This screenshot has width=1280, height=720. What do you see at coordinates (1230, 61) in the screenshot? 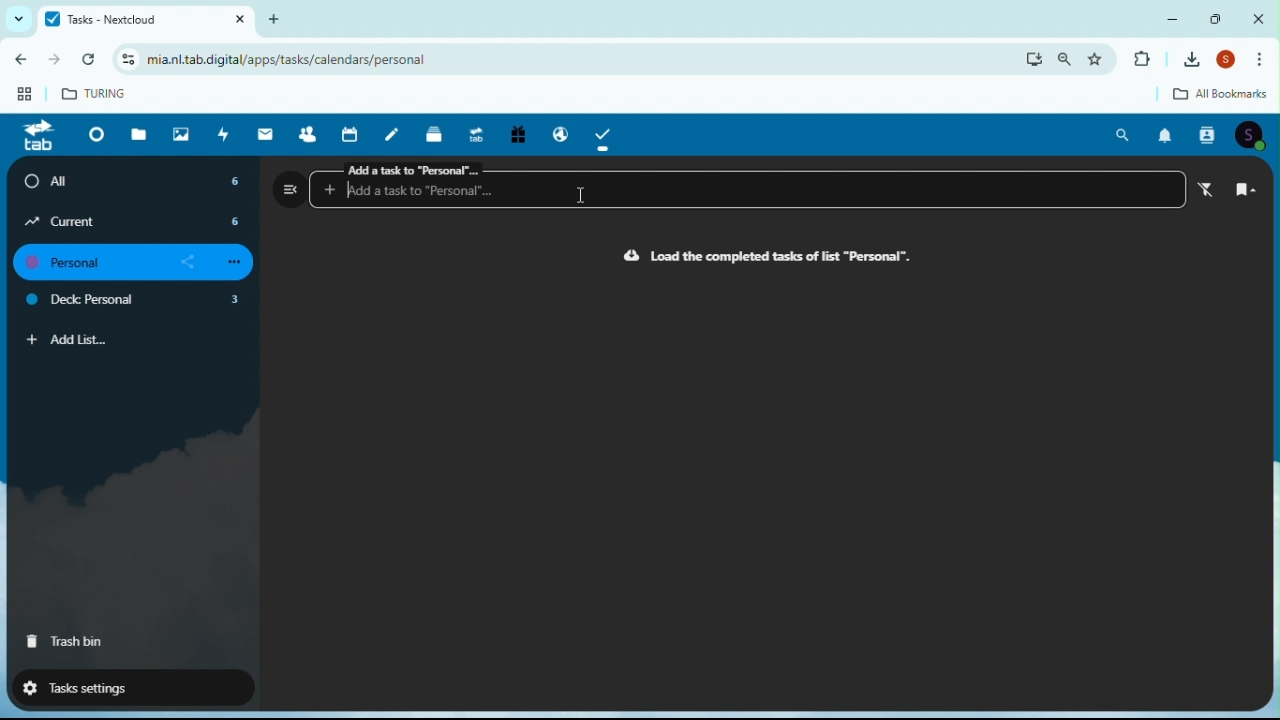
I see `Account icon` at bounding box center [1230, 61].